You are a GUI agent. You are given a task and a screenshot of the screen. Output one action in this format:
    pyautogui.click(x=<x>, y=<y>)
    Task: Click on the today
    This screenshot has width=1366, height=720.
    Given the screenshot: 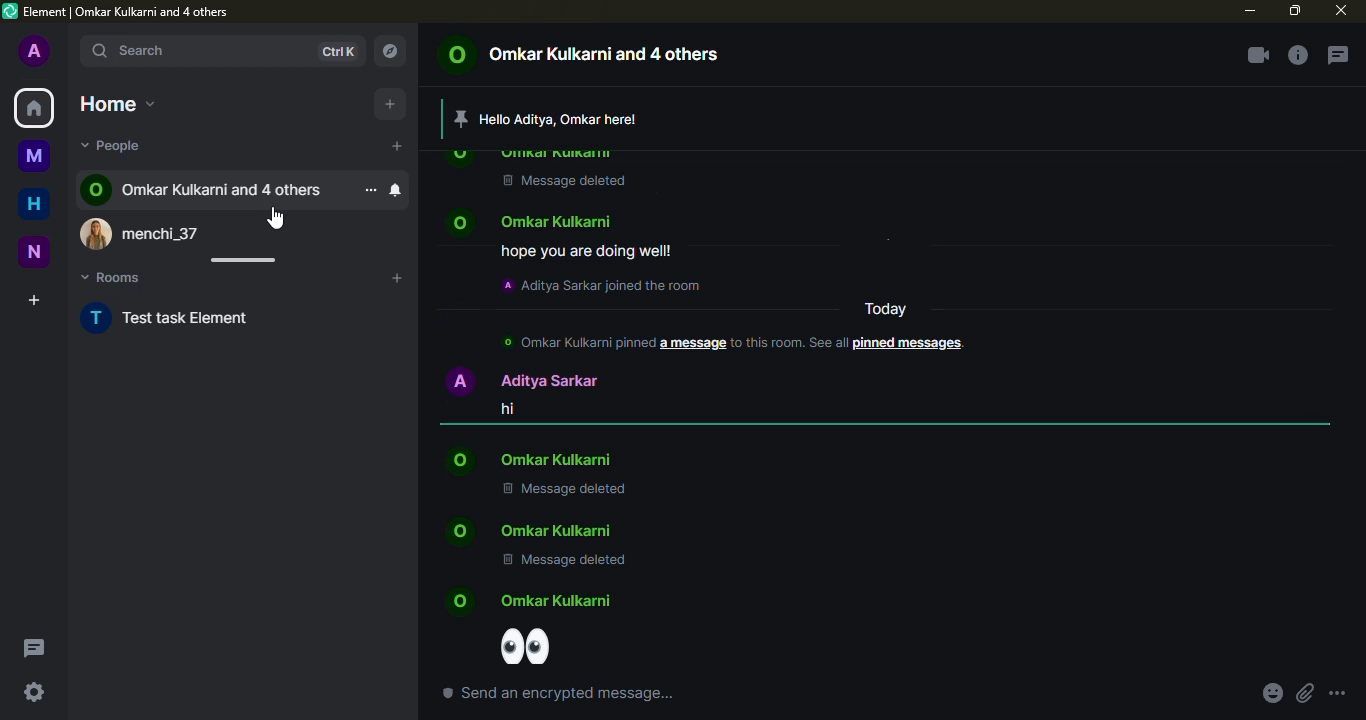 What is the action you would take?
    pyautogui.click(x=888, y=310)
    